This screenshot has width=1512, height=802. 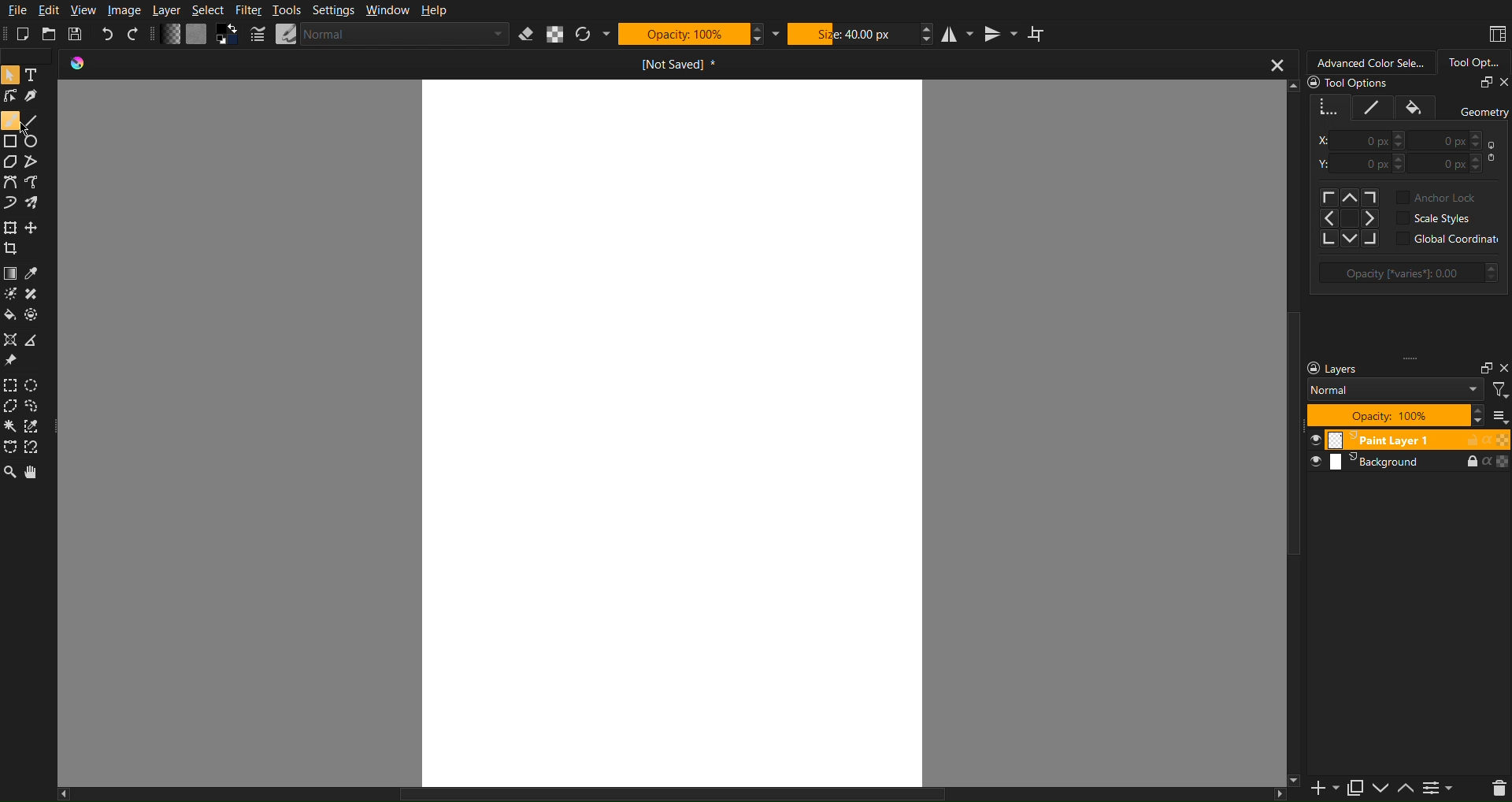 What do you see at coordinates (36, 204) in the screenshot?
I see `Brush` at bounding box center [36, 204].